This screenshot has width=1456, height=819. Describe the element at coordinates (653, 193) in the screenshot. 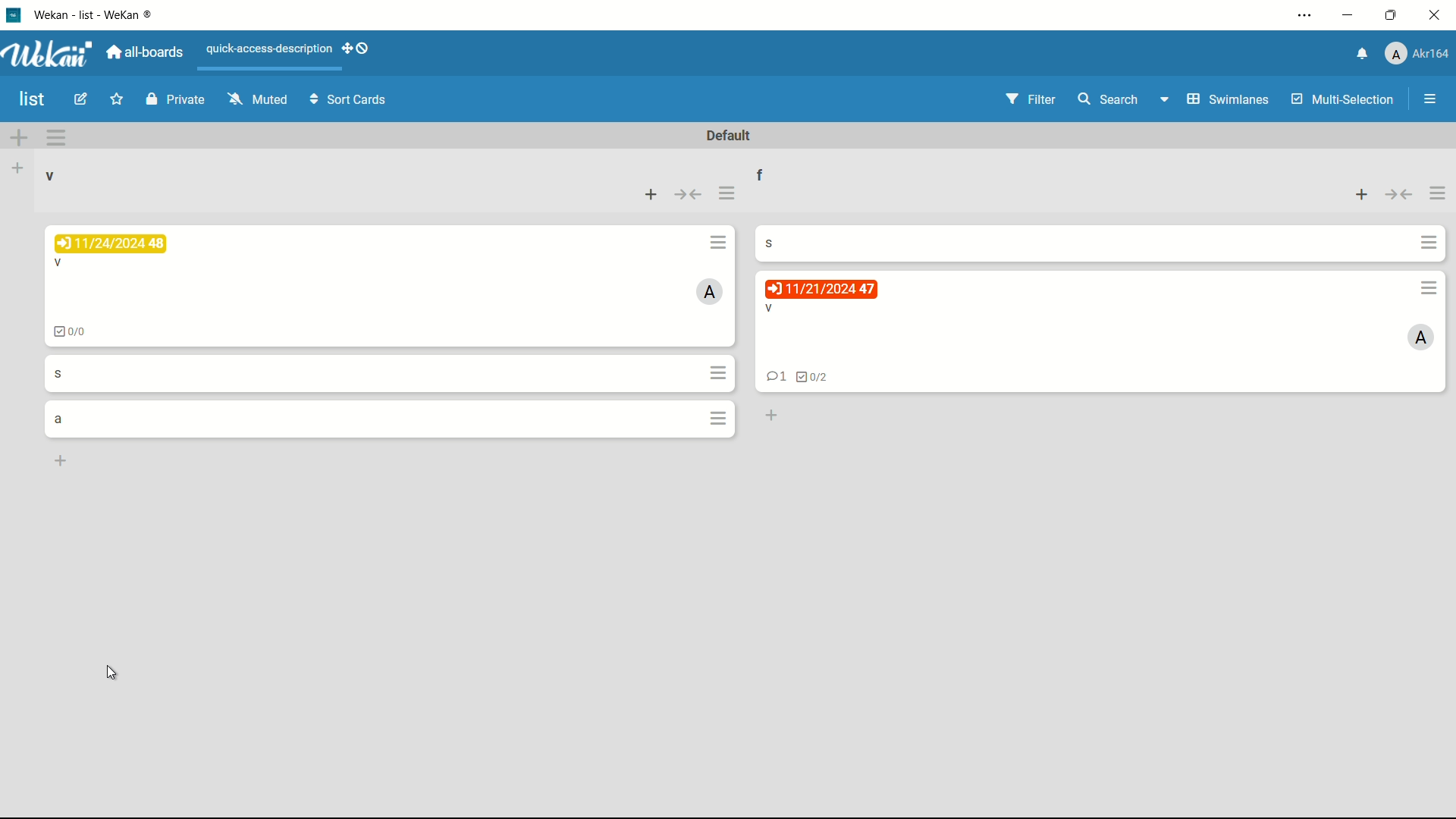

I see `add card to top of list` at that location.